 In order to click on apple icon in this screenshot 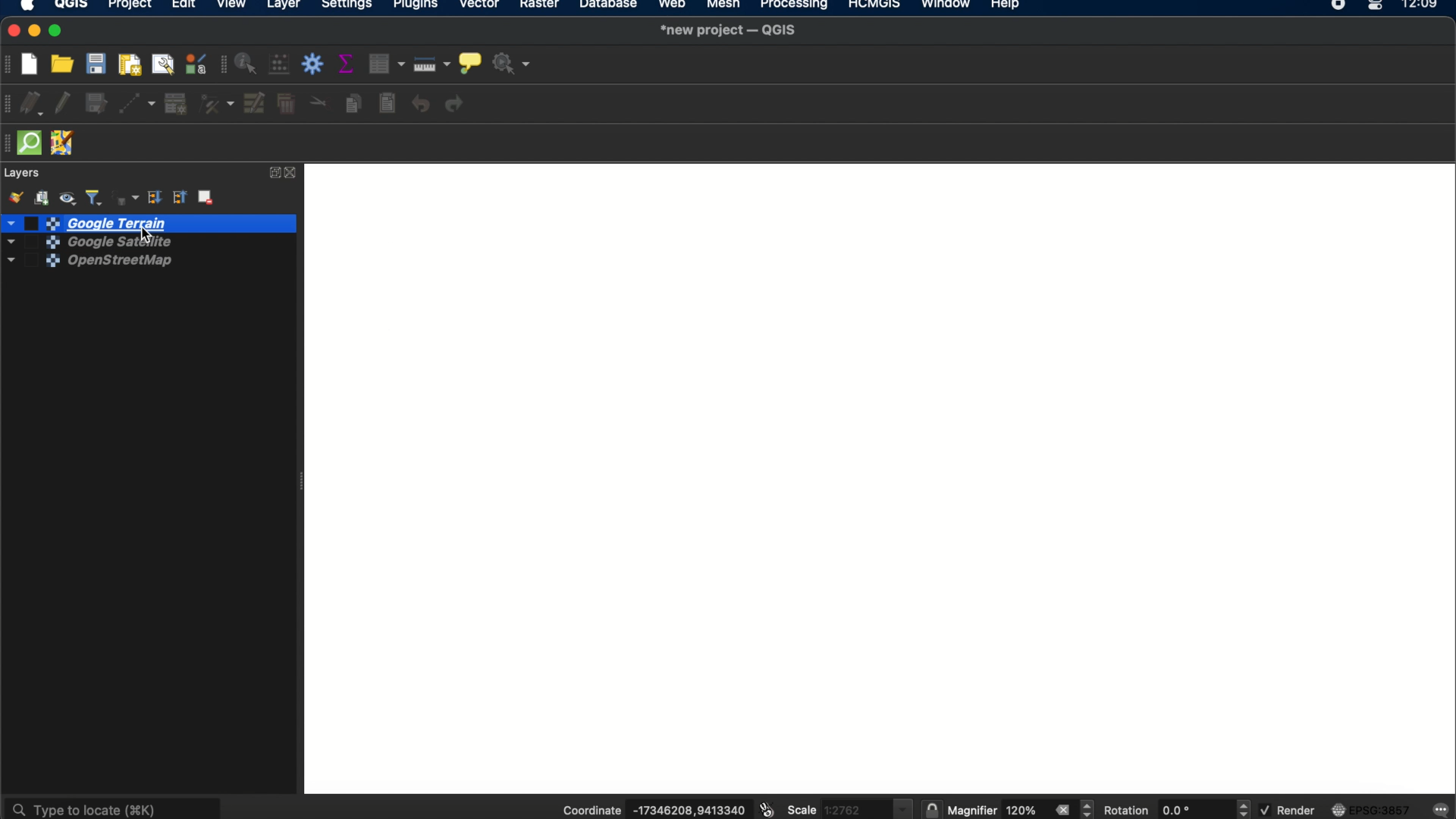, I will do `click(33, 7)`.